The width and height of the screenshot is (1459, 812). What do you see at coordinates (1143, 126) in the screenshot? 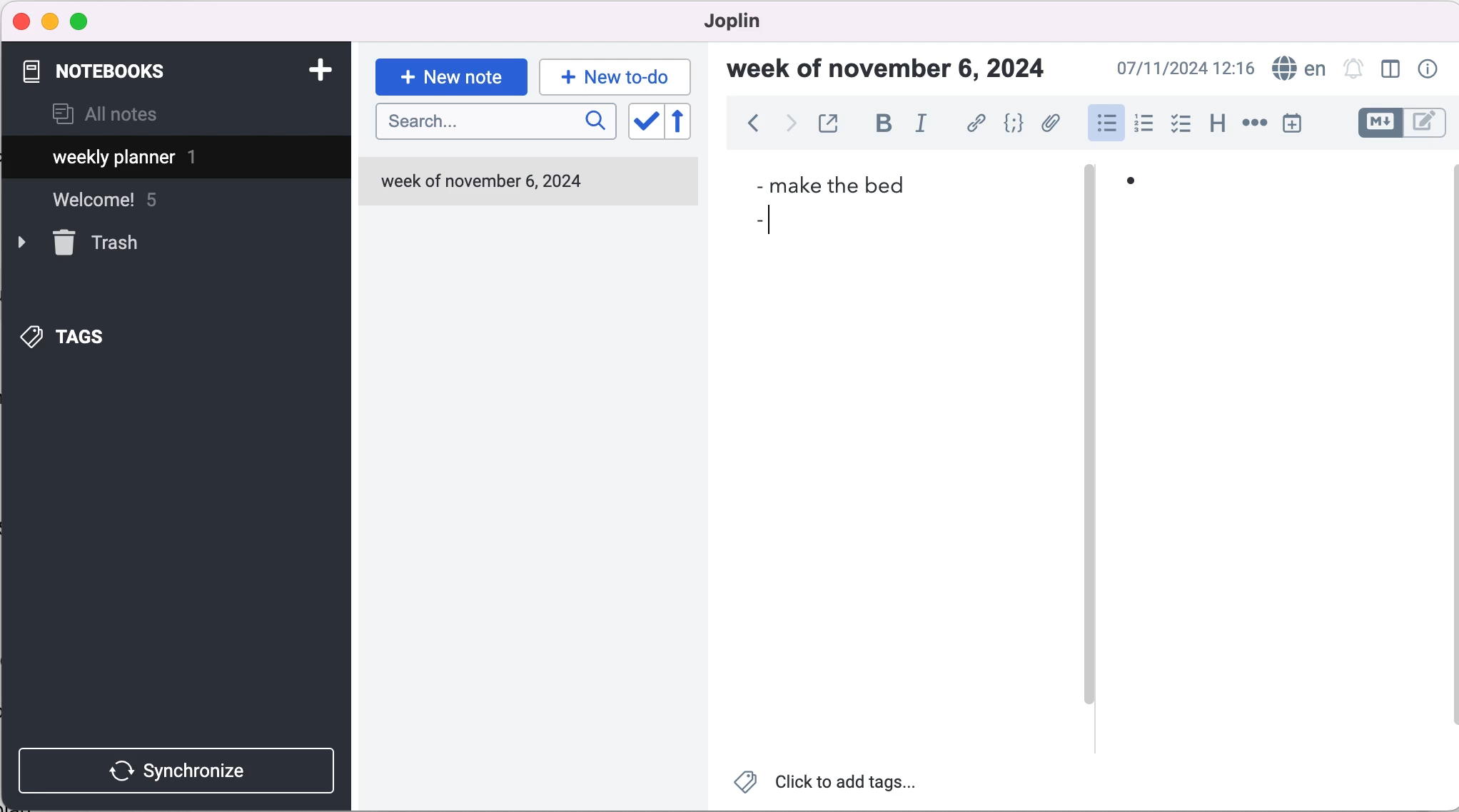
I see `numbered list` at bounding box center [1143, 126].